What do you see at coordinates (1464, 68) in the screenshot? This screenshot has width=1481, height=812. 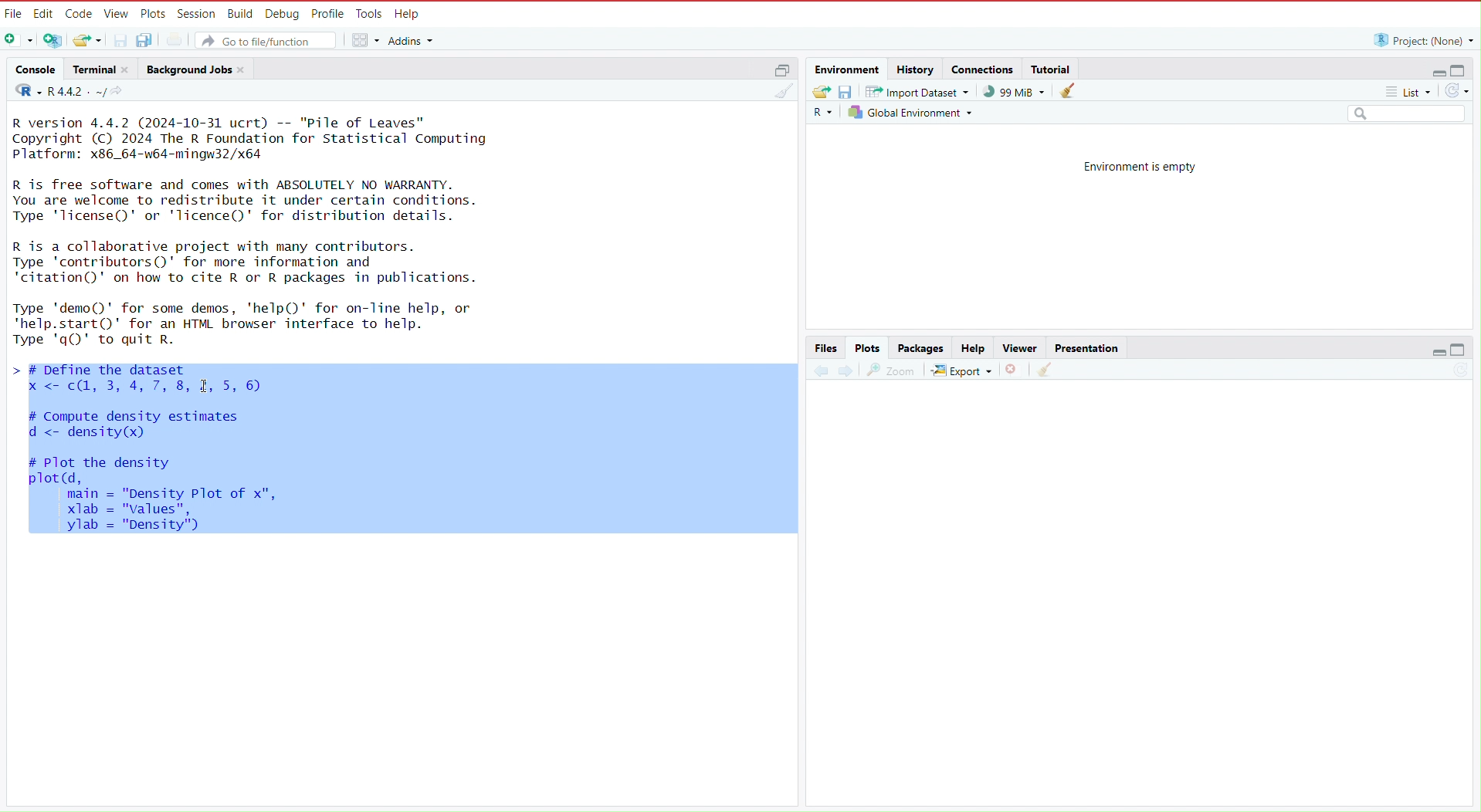 I see `maximize` at bounding box center [1464, 68].